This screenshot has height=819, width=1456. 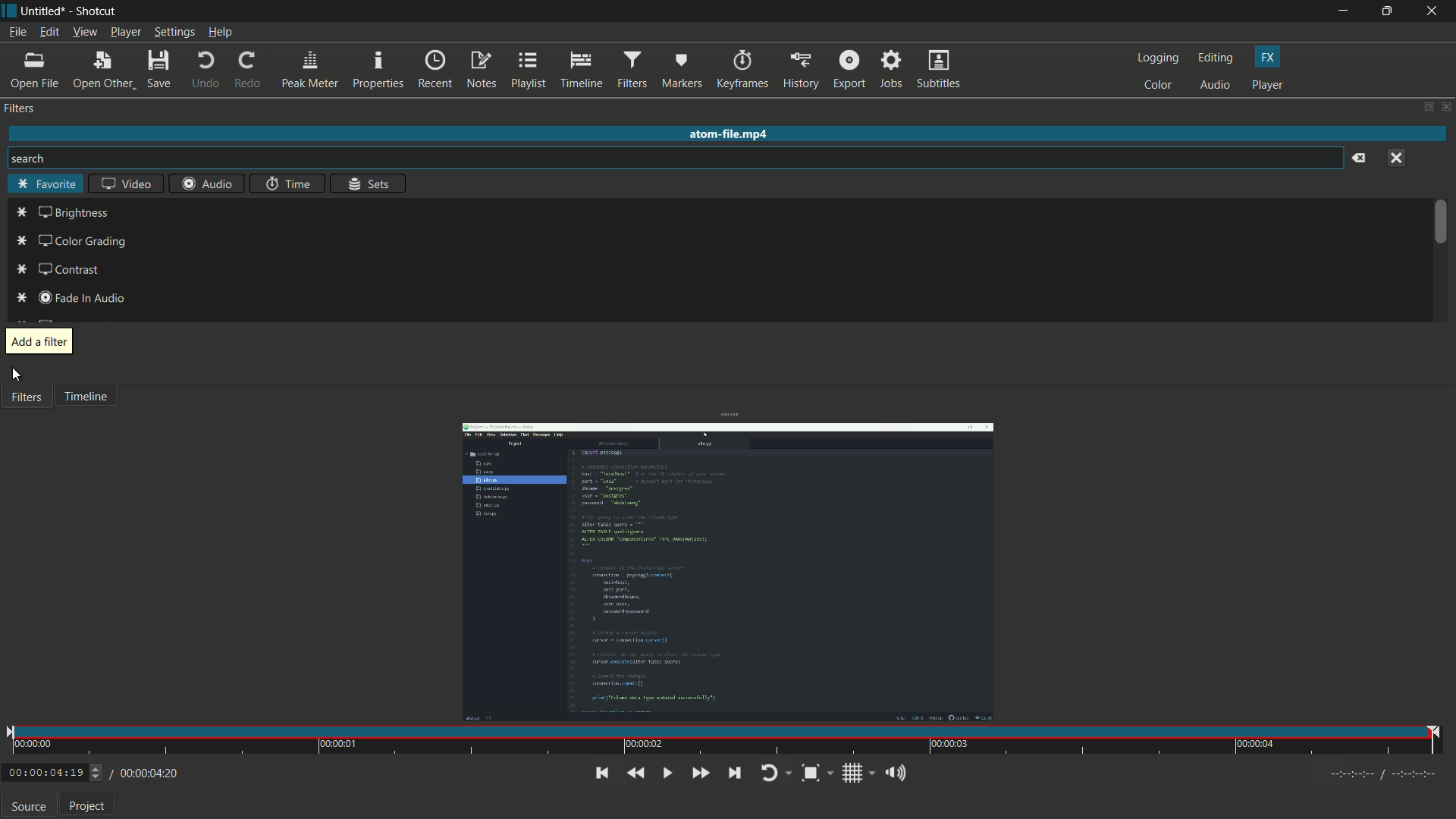 What do you see at coordinates (124, 183) in the screenshot?
I see `video` at bounding box center [124, 183].